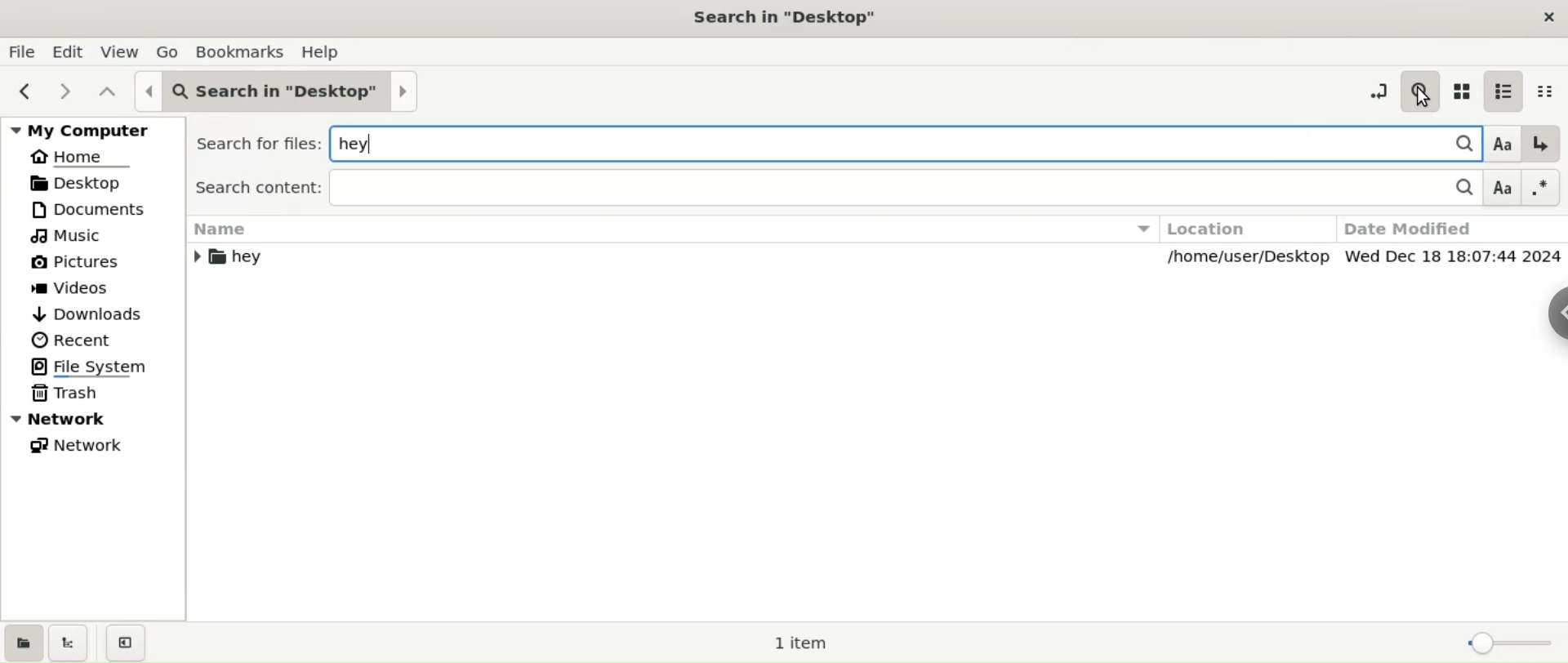 The image size is (1568, 663). I want to click on search documents and folders, so click(1423, 141).